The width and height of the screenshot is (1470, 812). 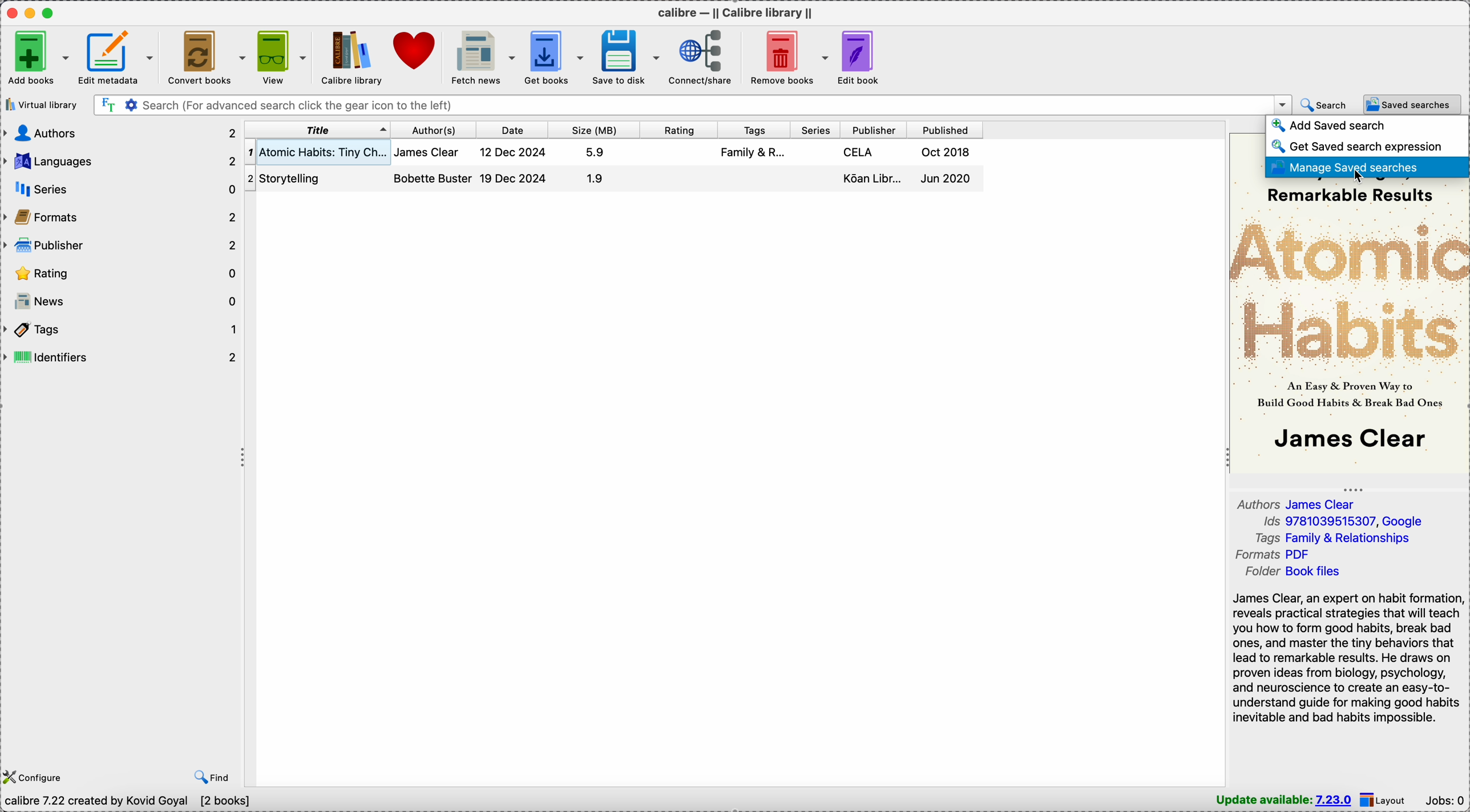 What do you see at coordinates (627, 58) in the screenshot?
I see `save to disk` at bounding box center [627, 58].